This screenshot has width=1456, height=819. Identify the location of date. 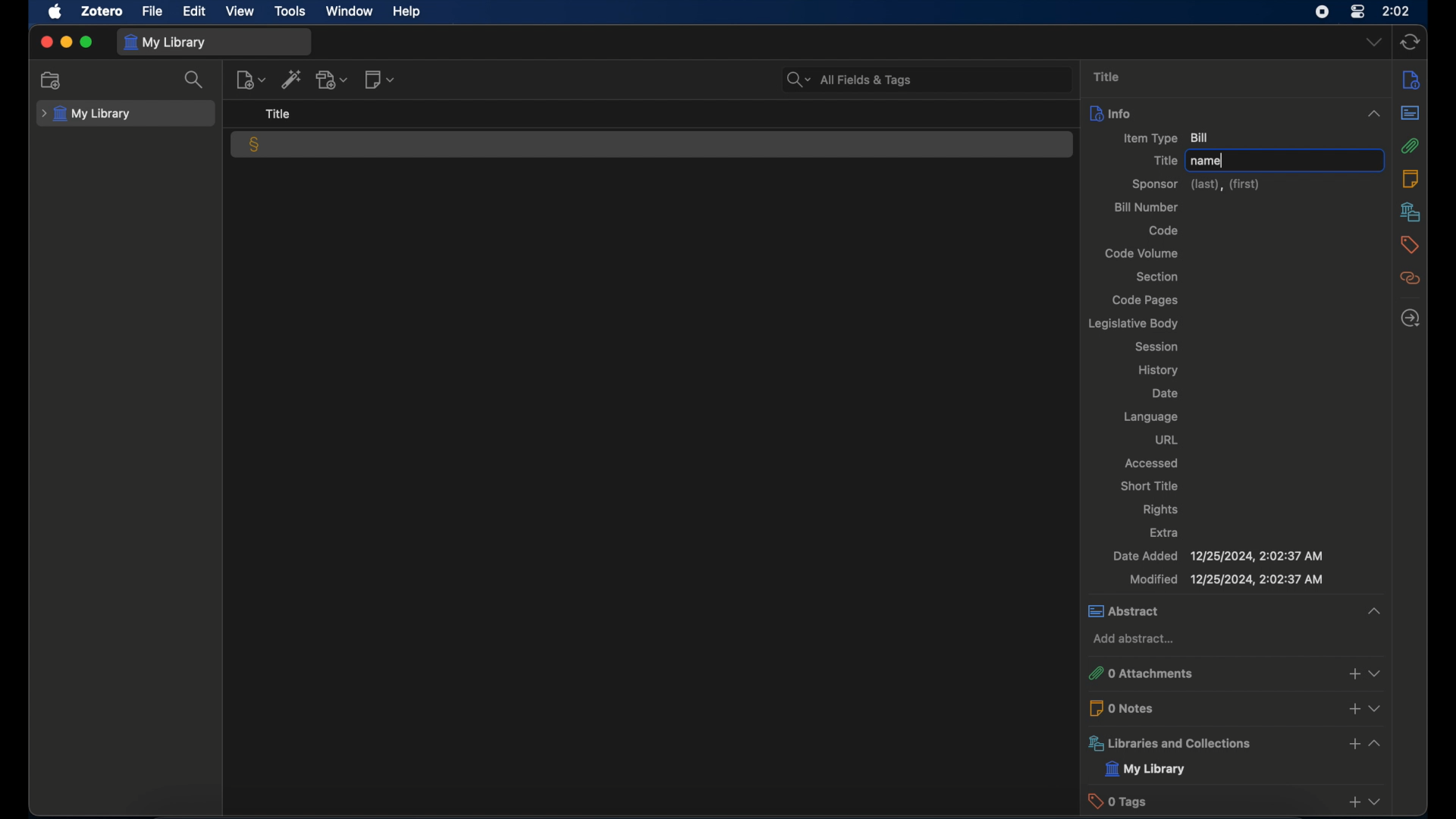
(1166, 394).